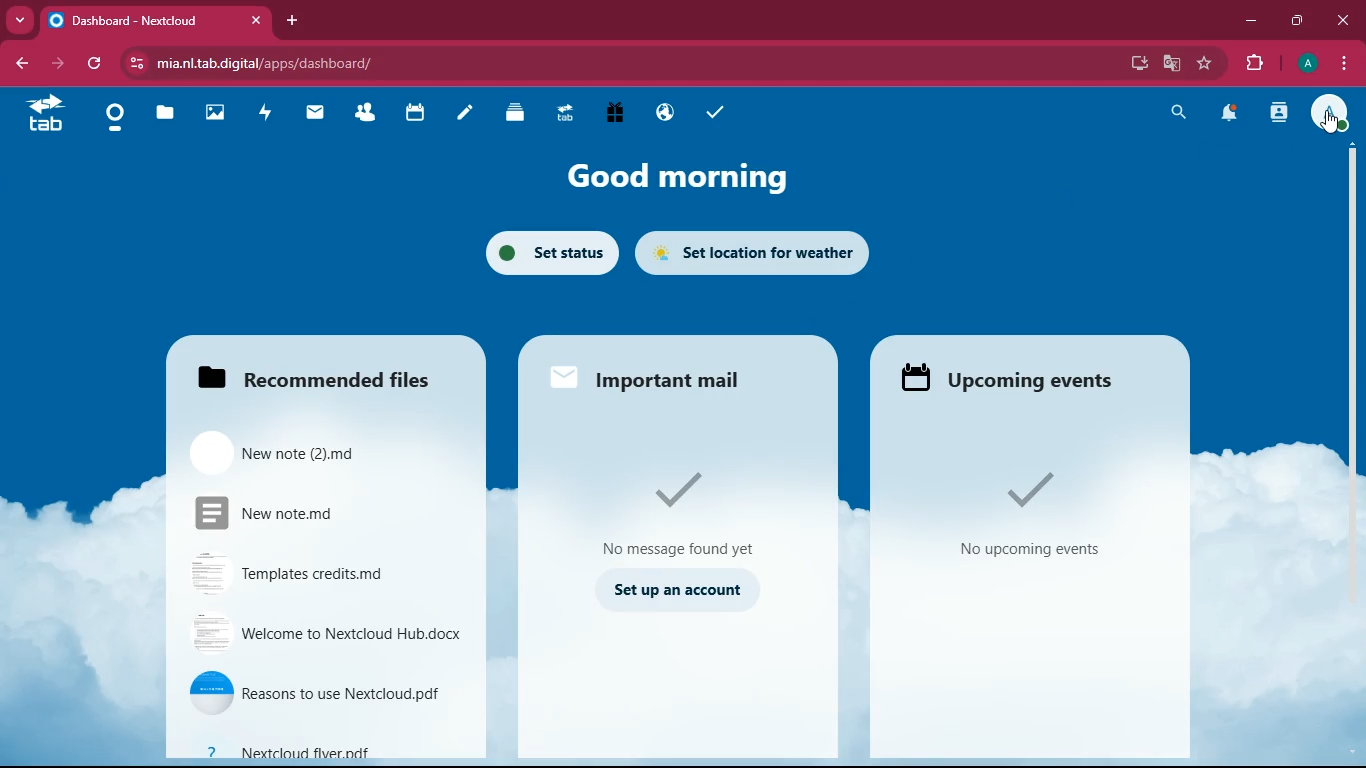  I want to click on mail, so click(316, 114).